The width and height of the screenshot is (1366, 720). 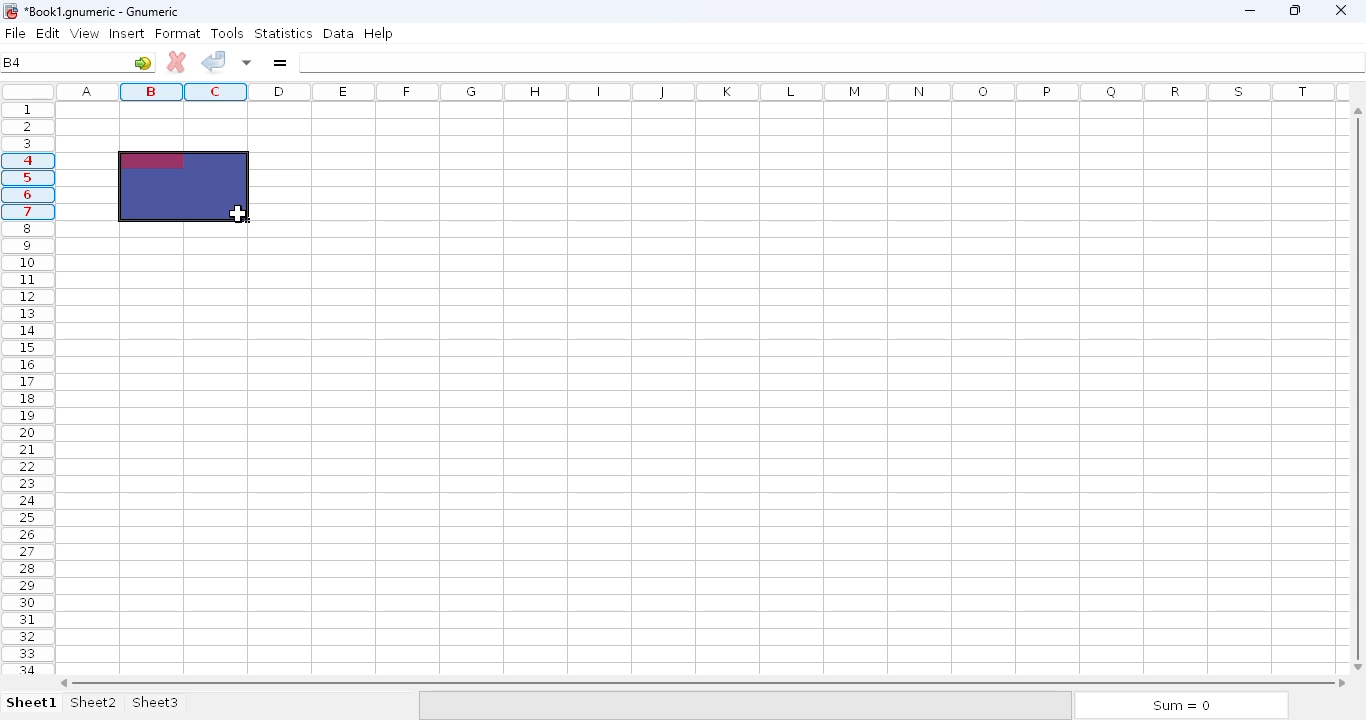 I want to click on view, so click(x=84, y=34).